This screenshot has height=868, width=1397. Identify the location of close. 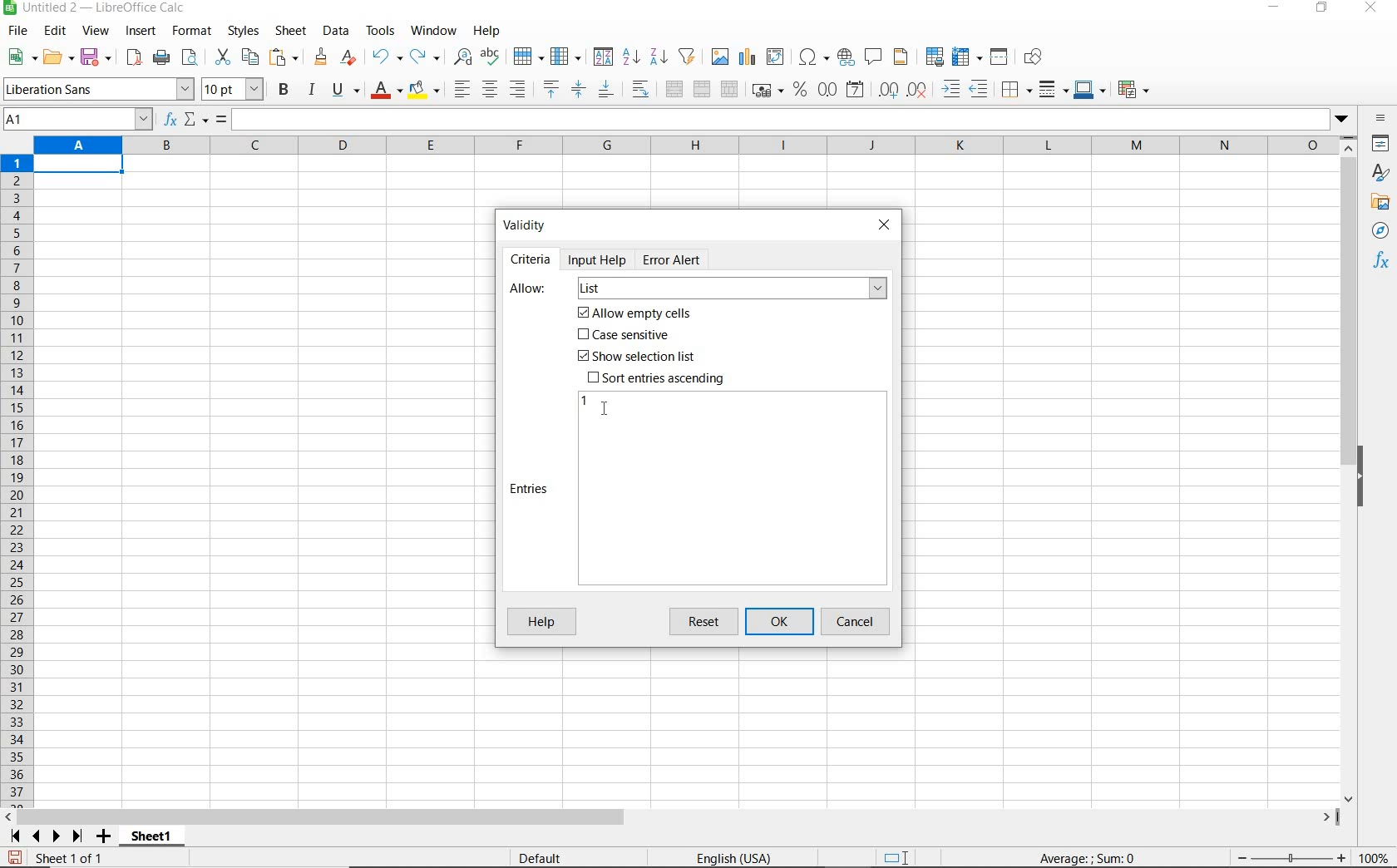
(884, 223).